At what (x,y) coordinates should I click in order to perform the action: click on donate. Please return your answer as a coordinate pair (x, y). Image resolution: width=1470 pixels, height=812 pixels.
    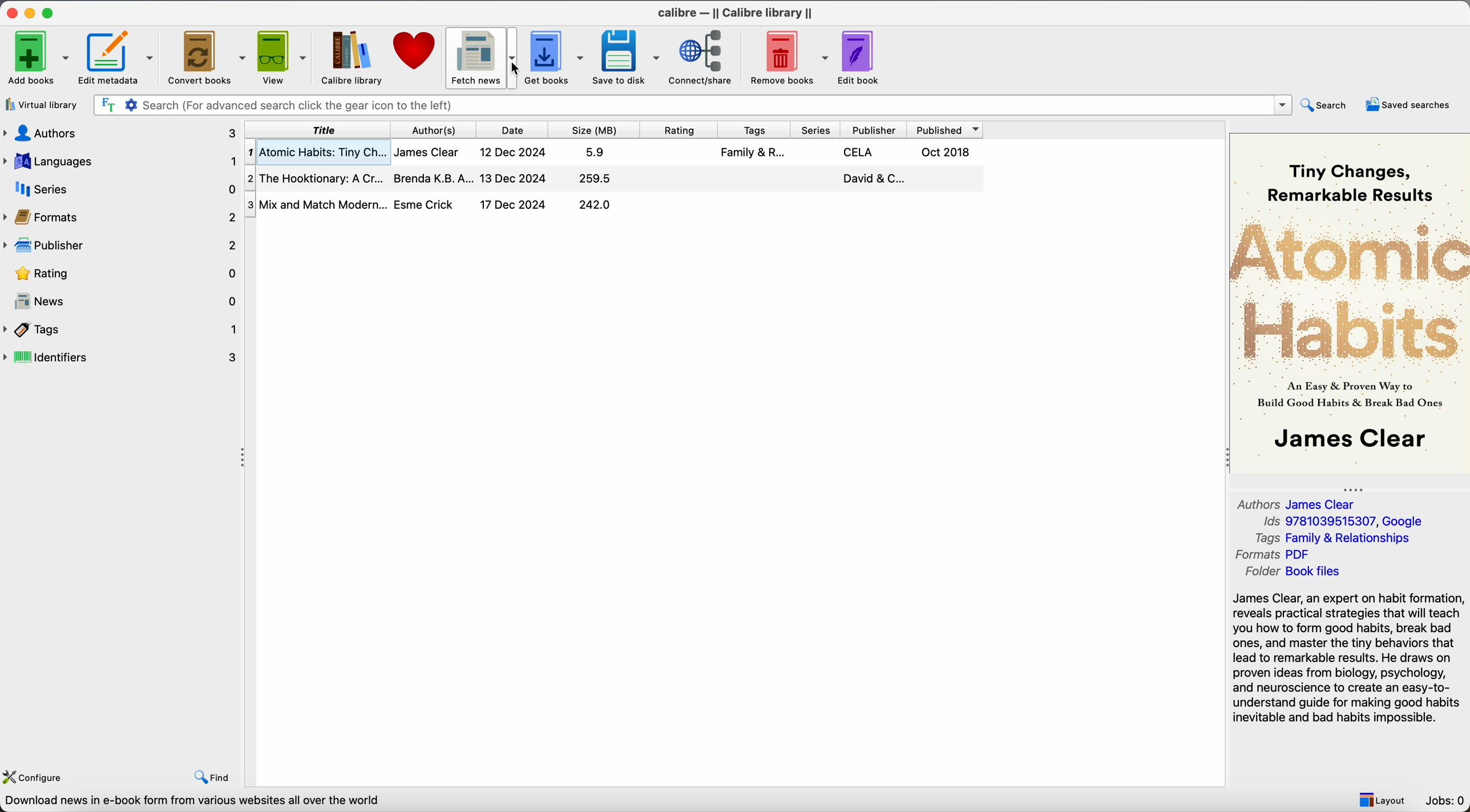
    Looking at the image, I should click on (413, 55).